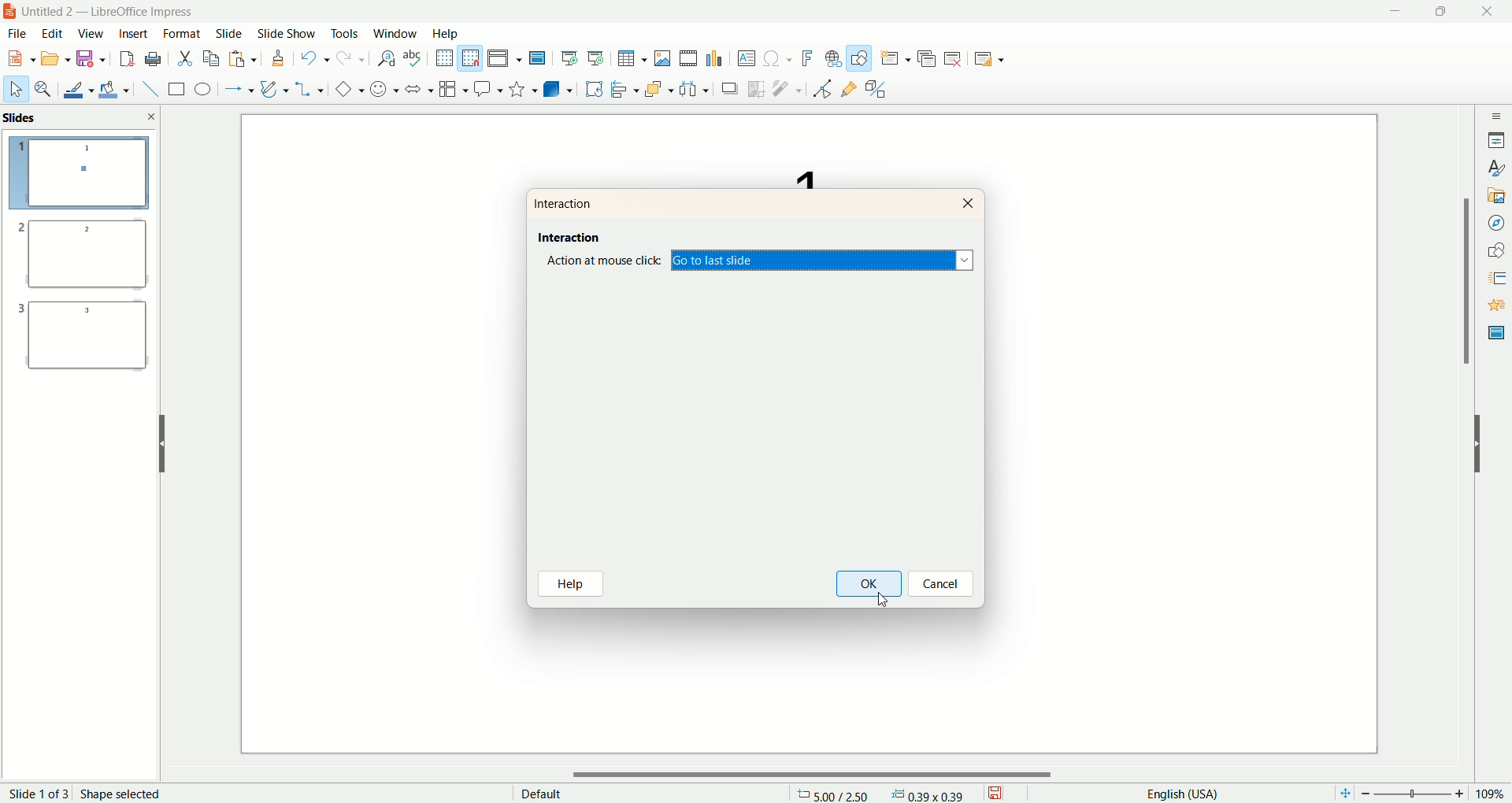 The image size is (1512, 803). Describe the element at coordinates (1496, 248) in the screenshot. I see `shapes` at that location.